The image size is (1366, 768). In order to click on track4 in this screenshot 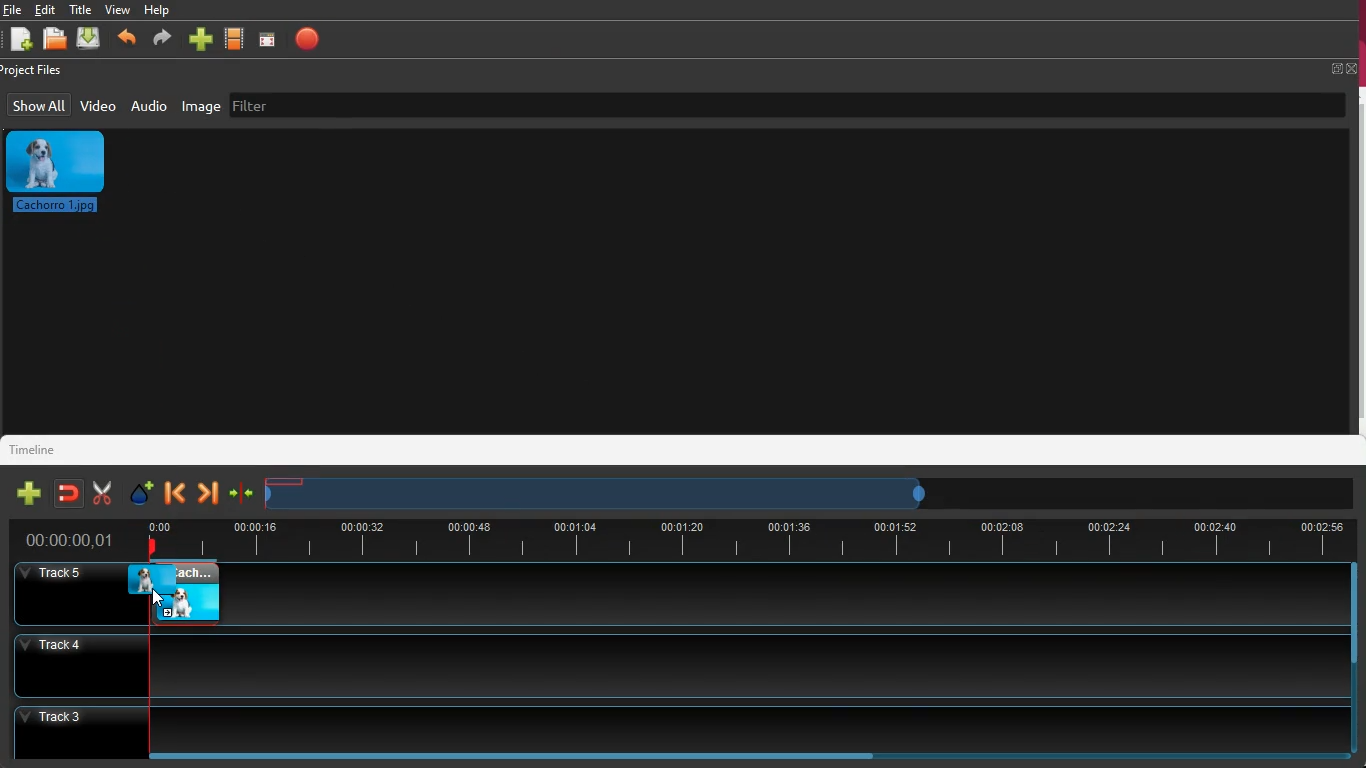, I will do `click(670, 663)`.